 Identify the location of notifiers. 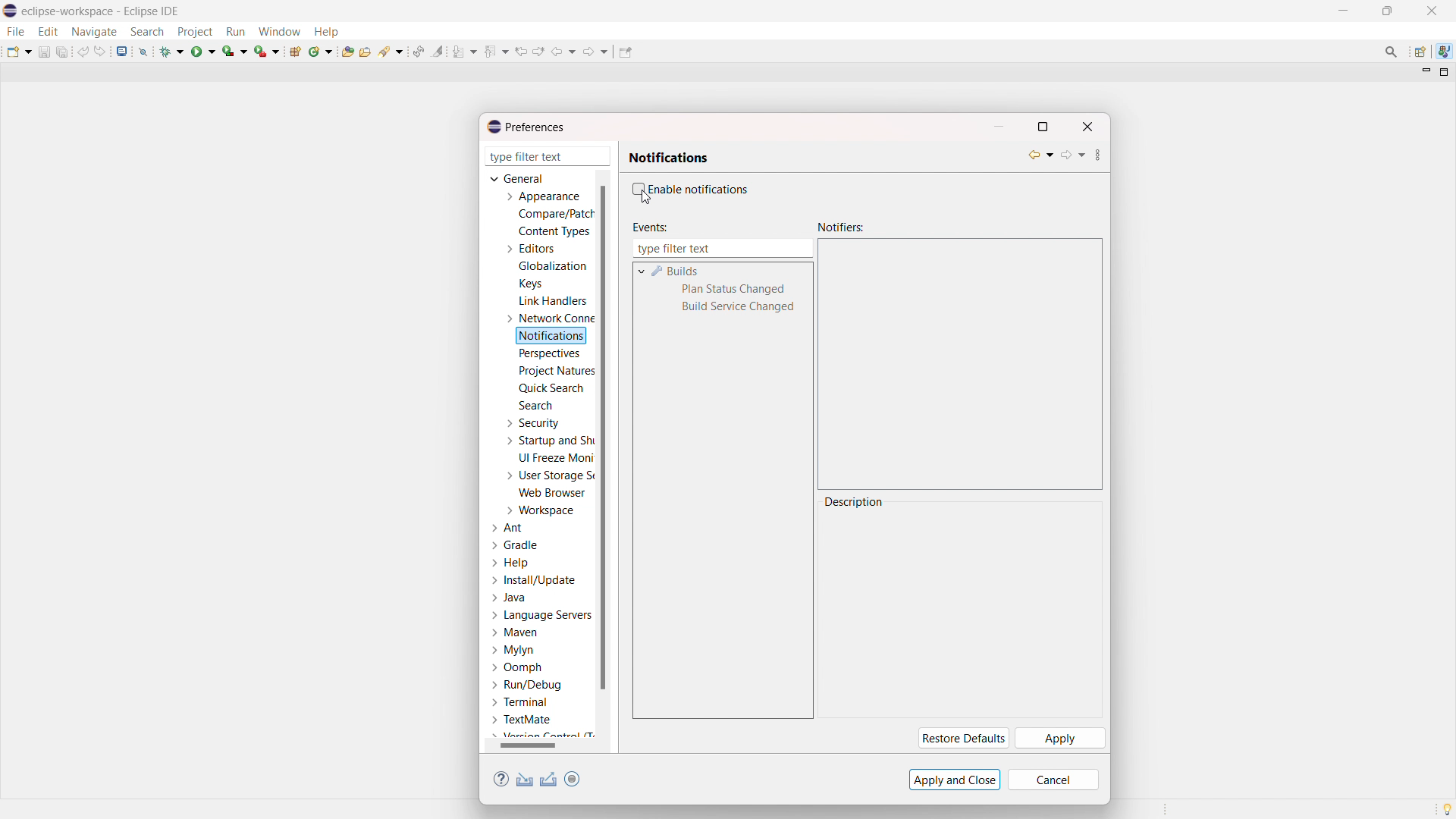
(841, 227).